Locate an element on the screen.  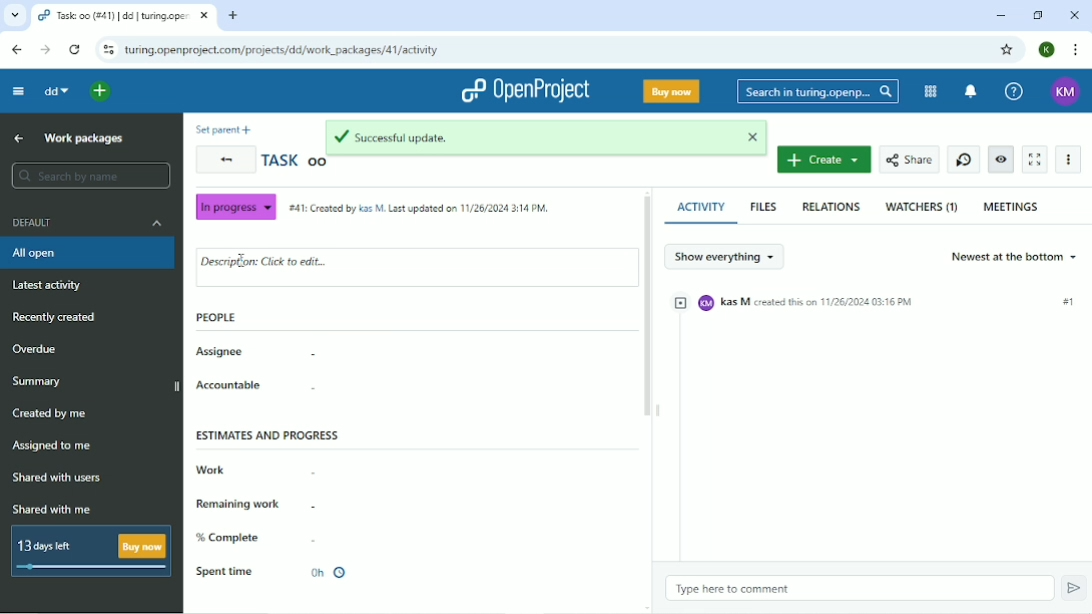
Back is located at coordinates (224, 160).